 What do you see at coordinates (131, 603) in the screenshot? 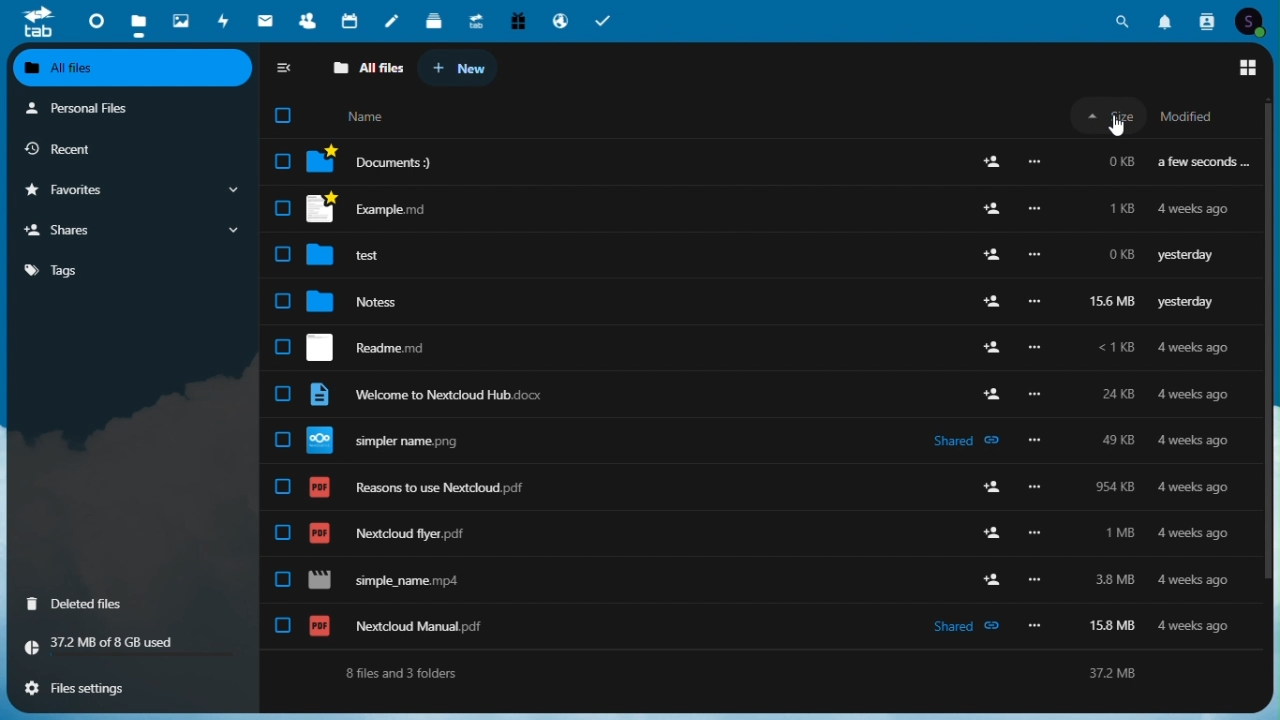
I see `` at bounding box center [131, 603].